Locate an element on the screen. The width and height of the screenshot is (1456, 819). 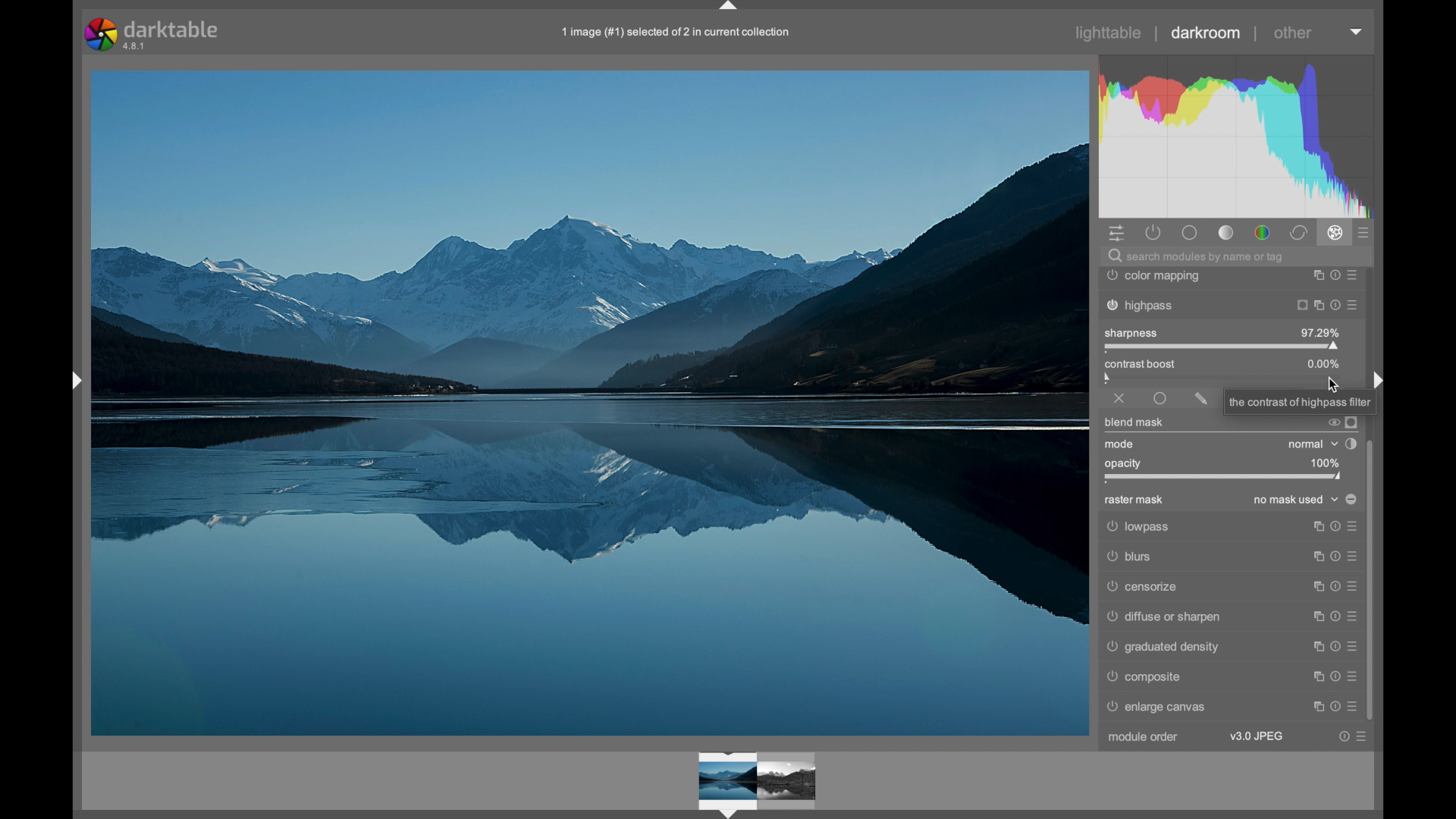
slider is located at coordinates (1225, 378).